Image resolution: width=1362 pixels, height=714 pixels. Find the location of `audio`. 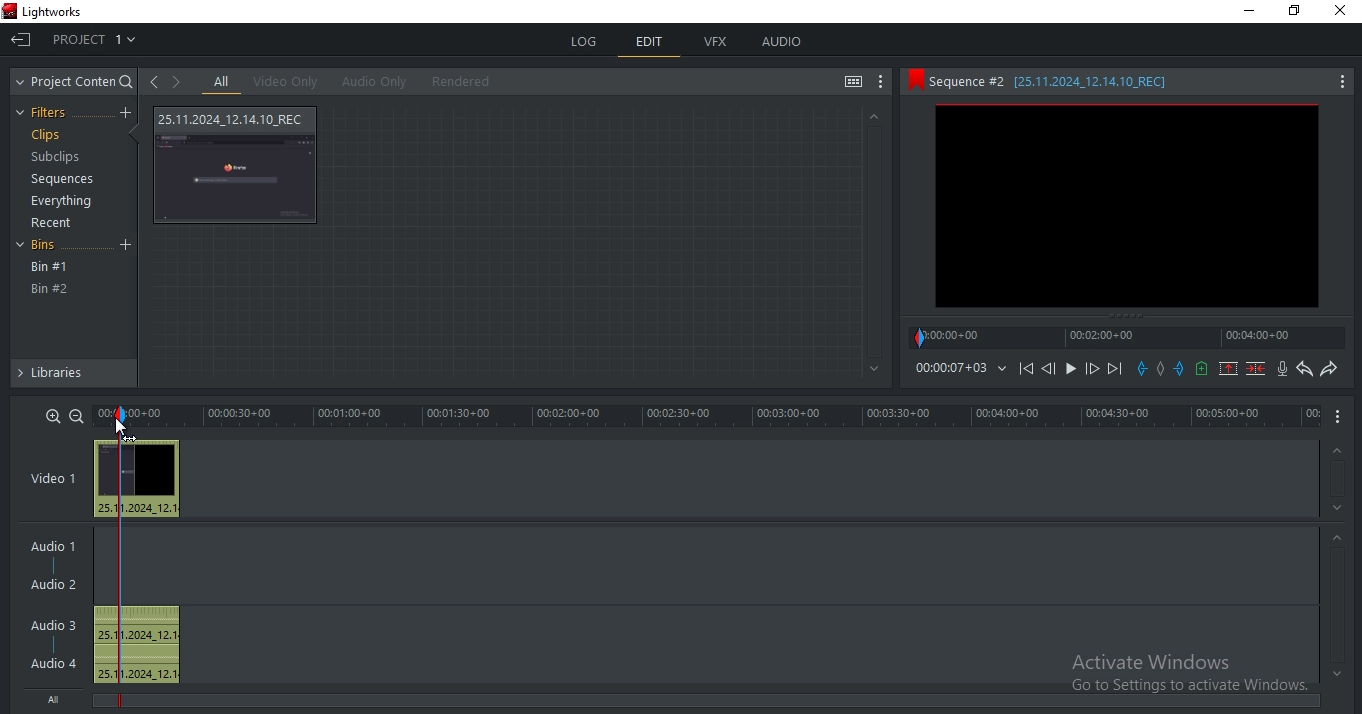

audio is located at coordinates (782, 43).